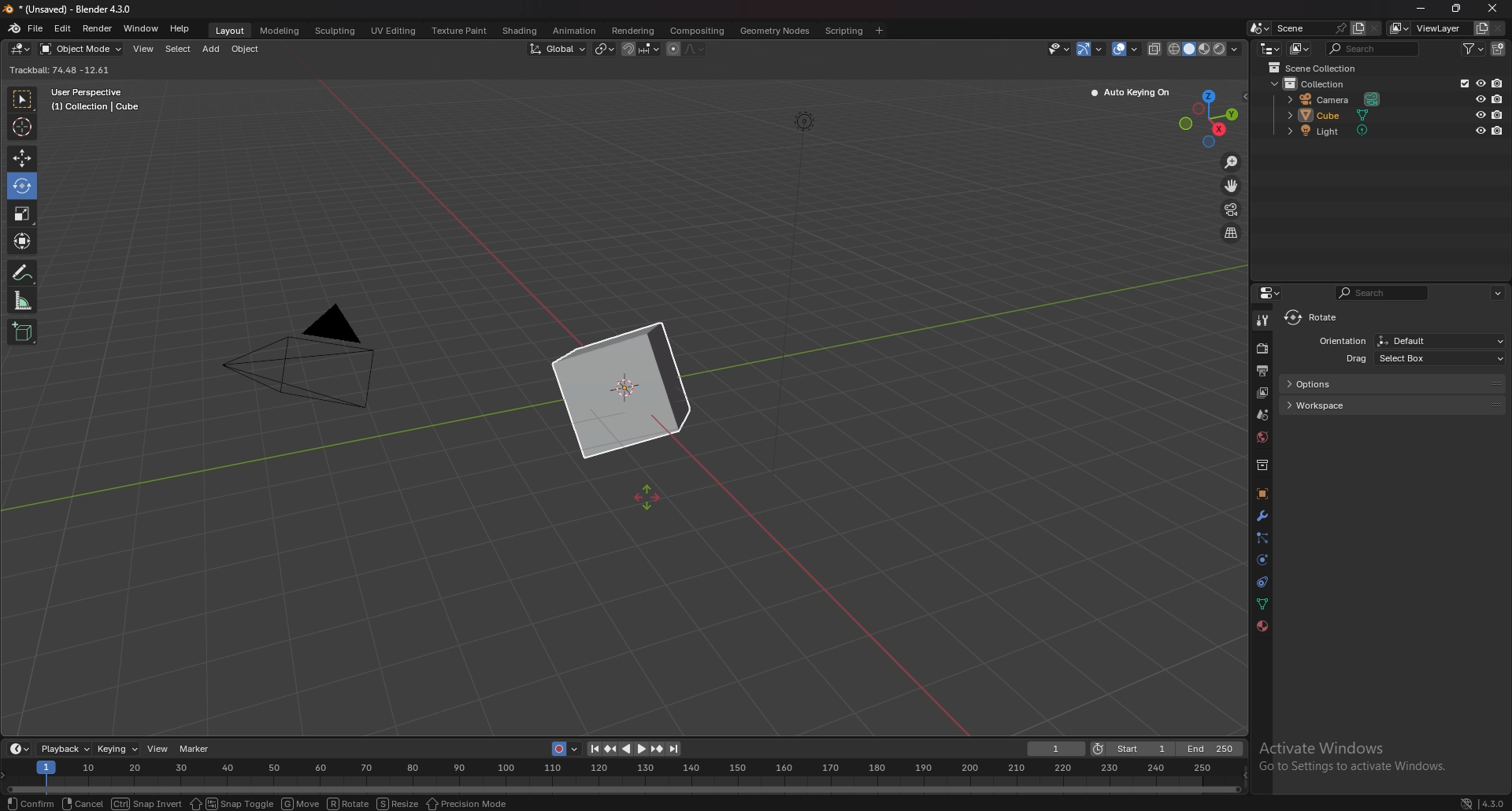 Image resolution: width=1512 pixels, height=811 pixels. I want to click on file, so click(35, 28).